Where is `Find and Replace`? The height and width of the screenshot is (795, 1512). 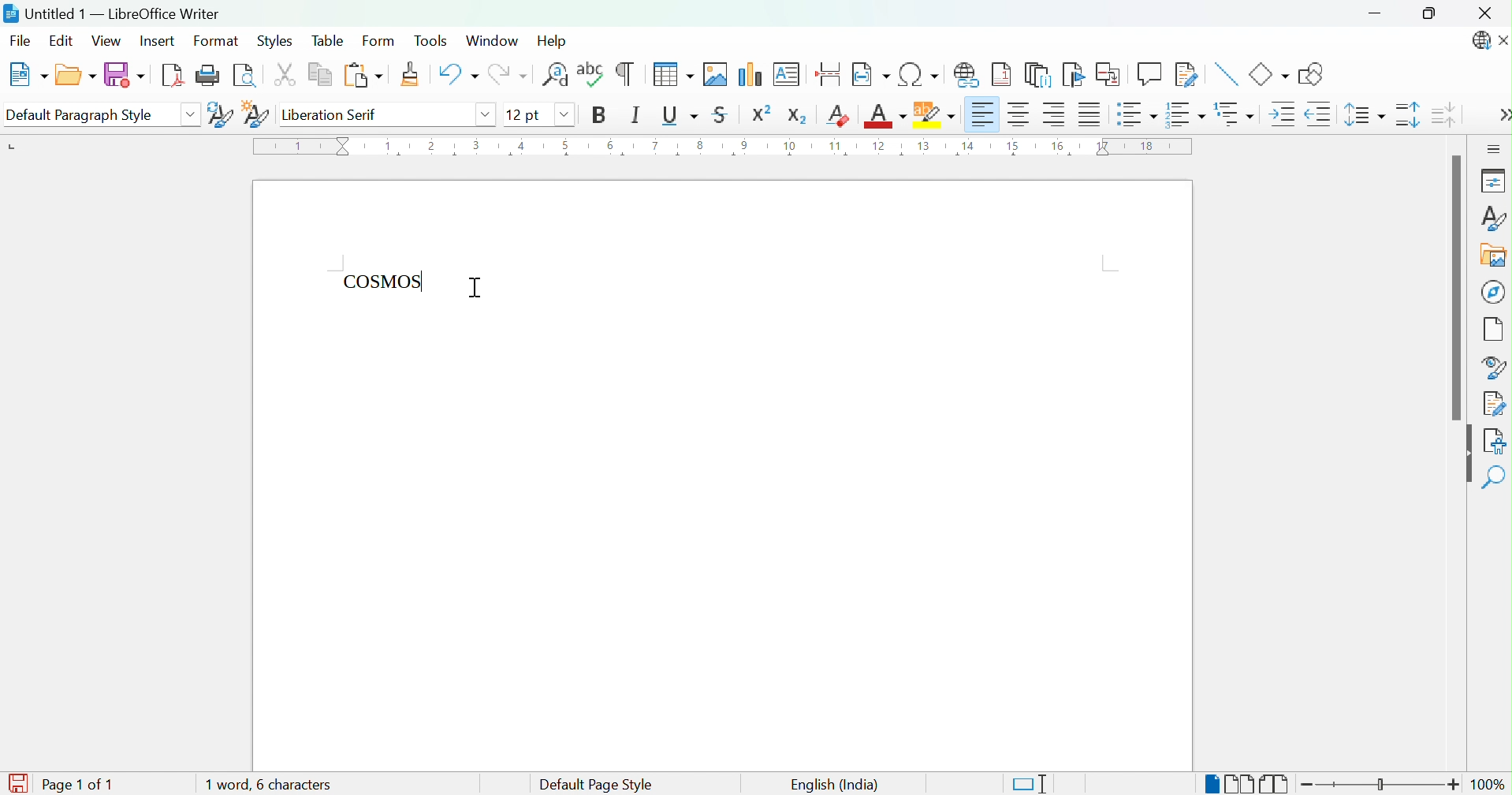 Find and Replace is located at coordinates (556, 74).